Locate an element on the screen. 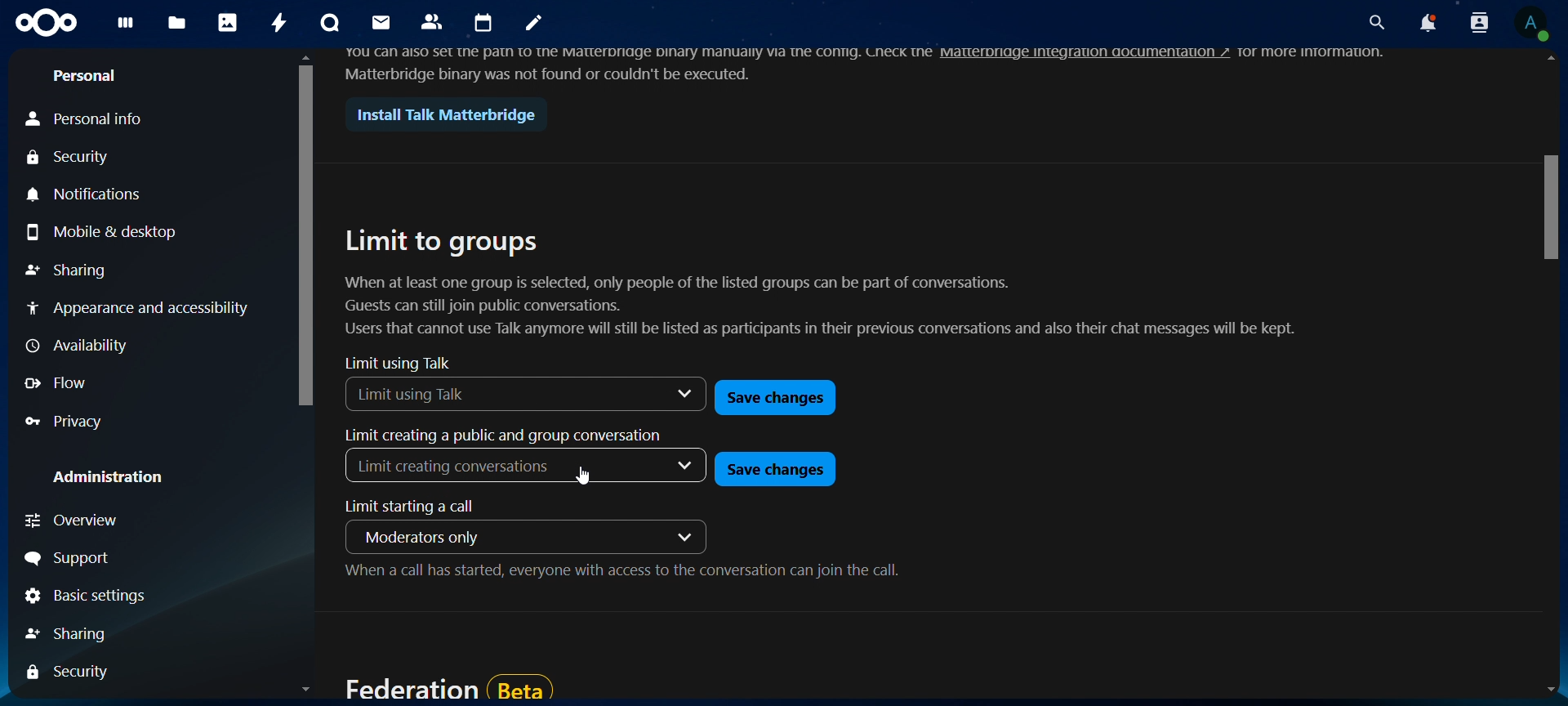 This screenshot has width=1568, height=706. Availability is located at coordinates (76, 345).